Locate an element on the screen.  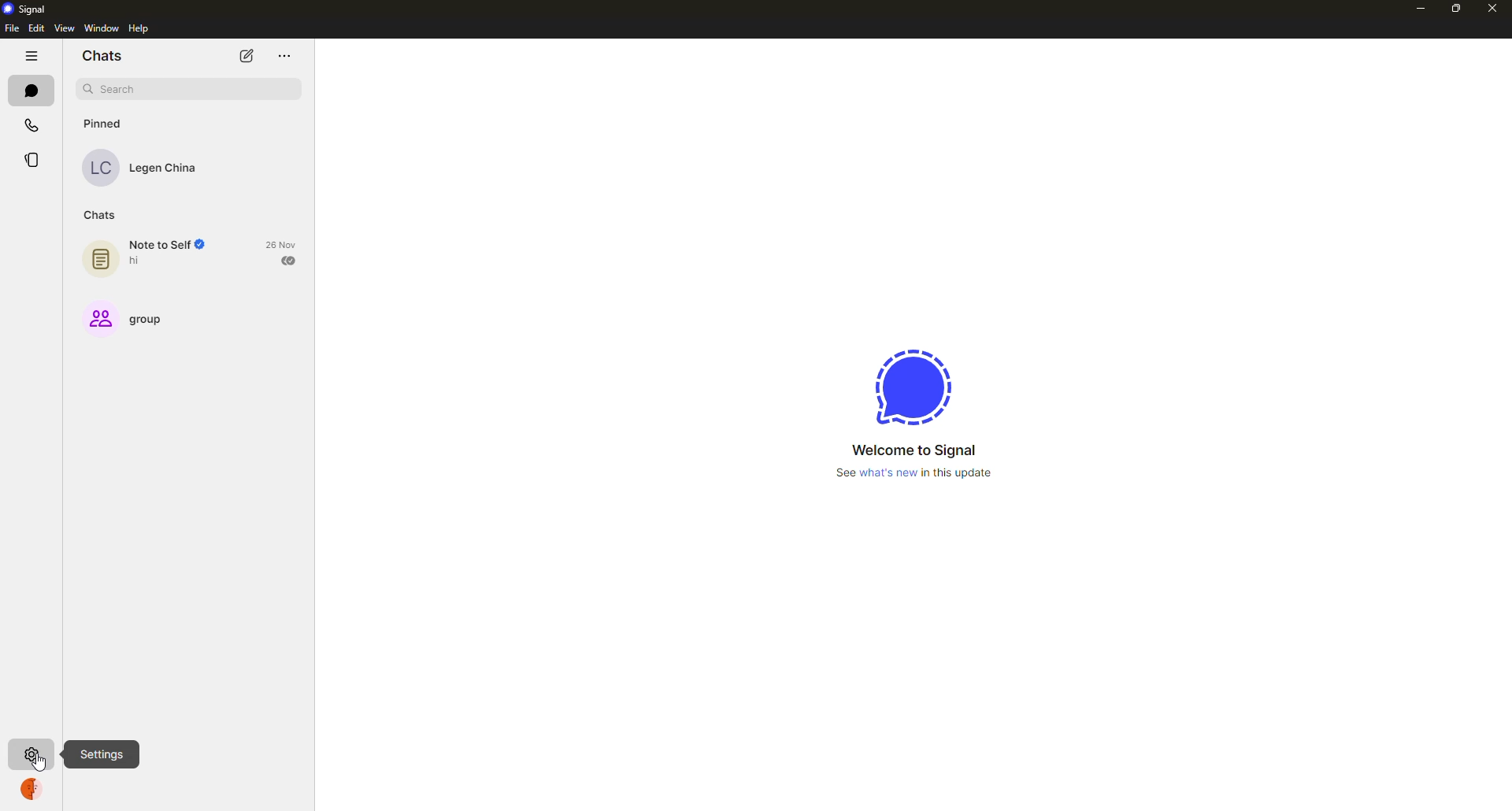
settings is located at coordinates (31, 754).